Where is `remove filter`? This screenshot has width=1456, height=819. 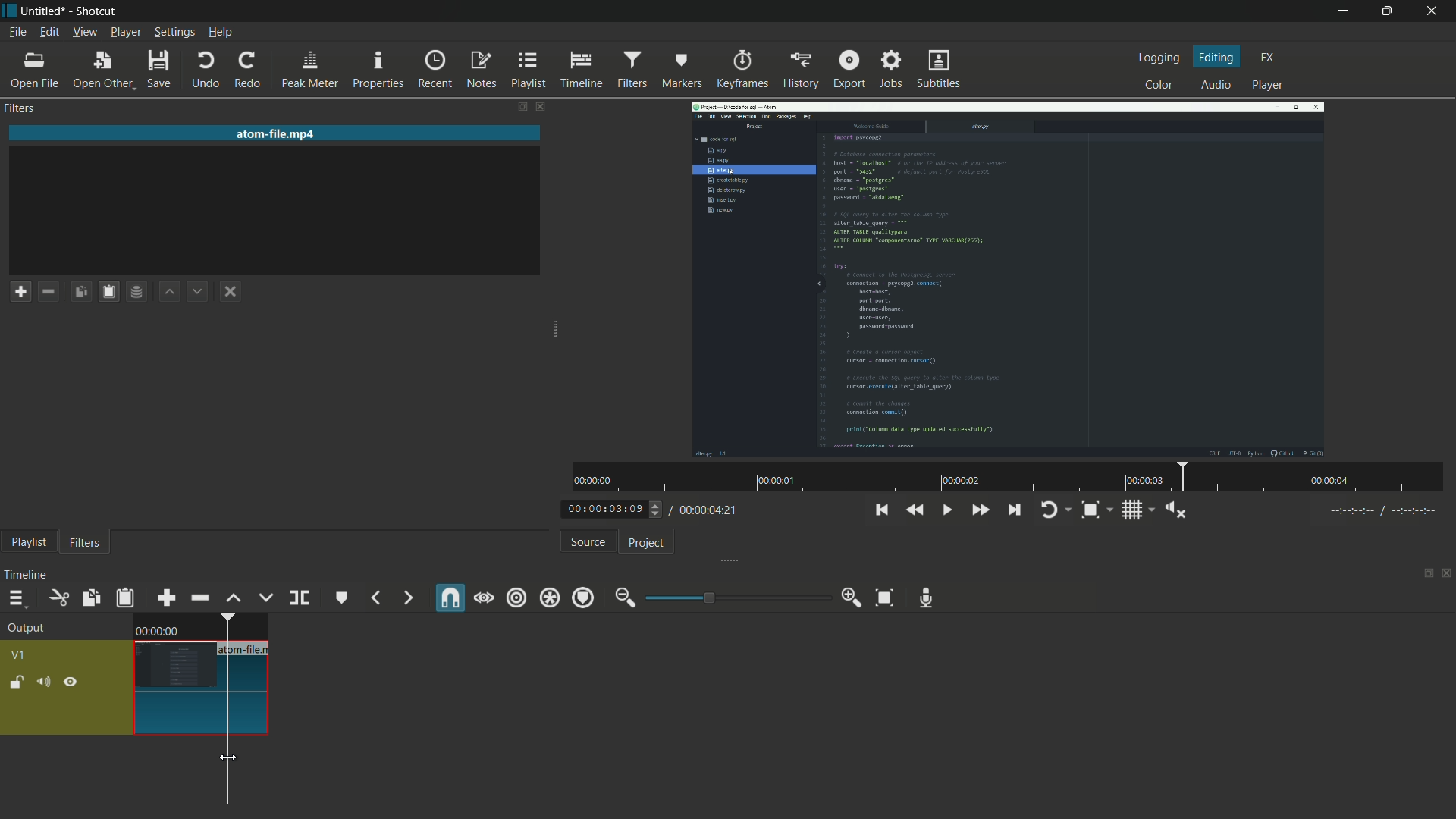
remove filter is located at coordinates (49, 291).